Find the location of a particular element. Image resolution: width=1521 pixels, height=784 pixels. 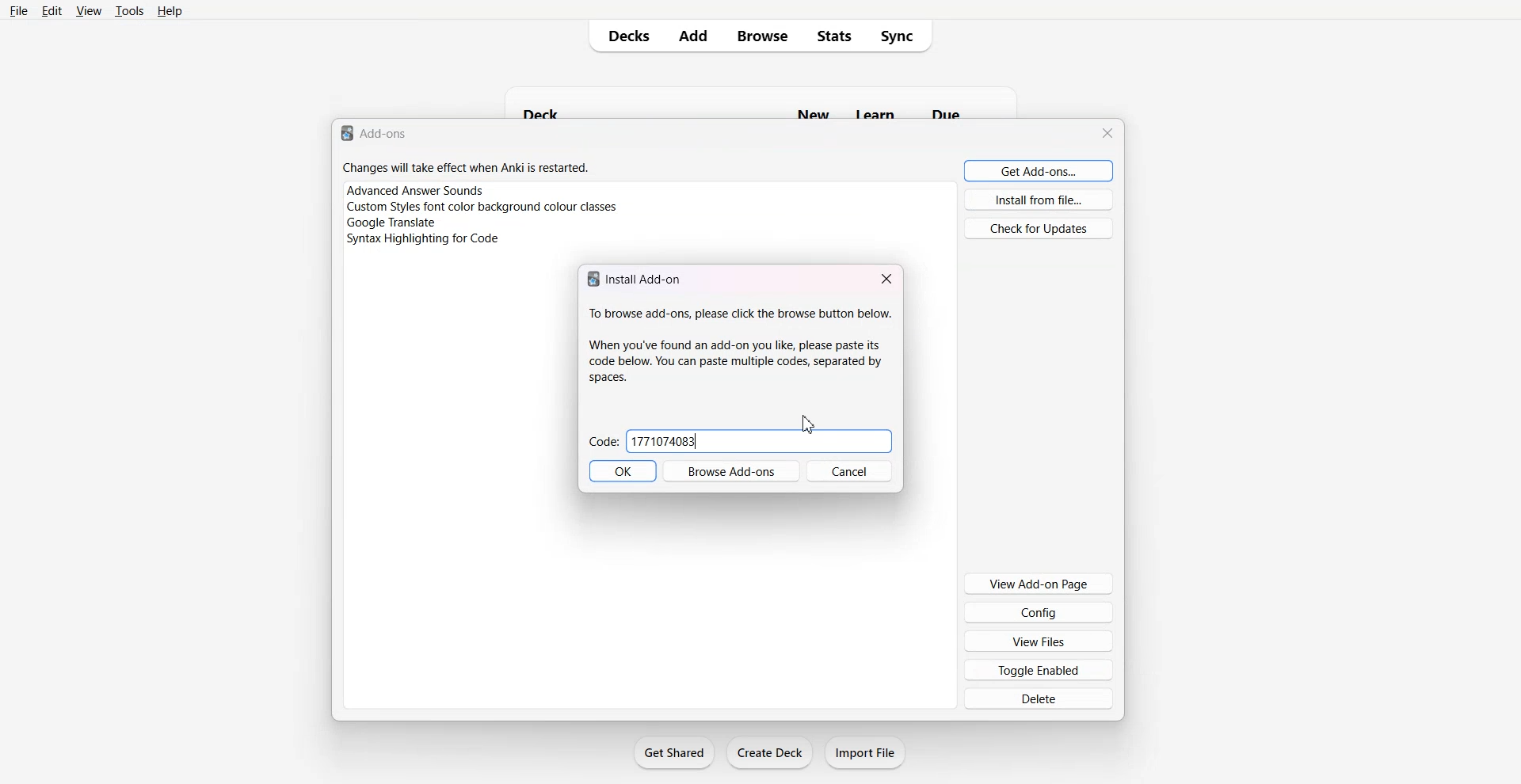

deck is located at coordinates (567, 110).